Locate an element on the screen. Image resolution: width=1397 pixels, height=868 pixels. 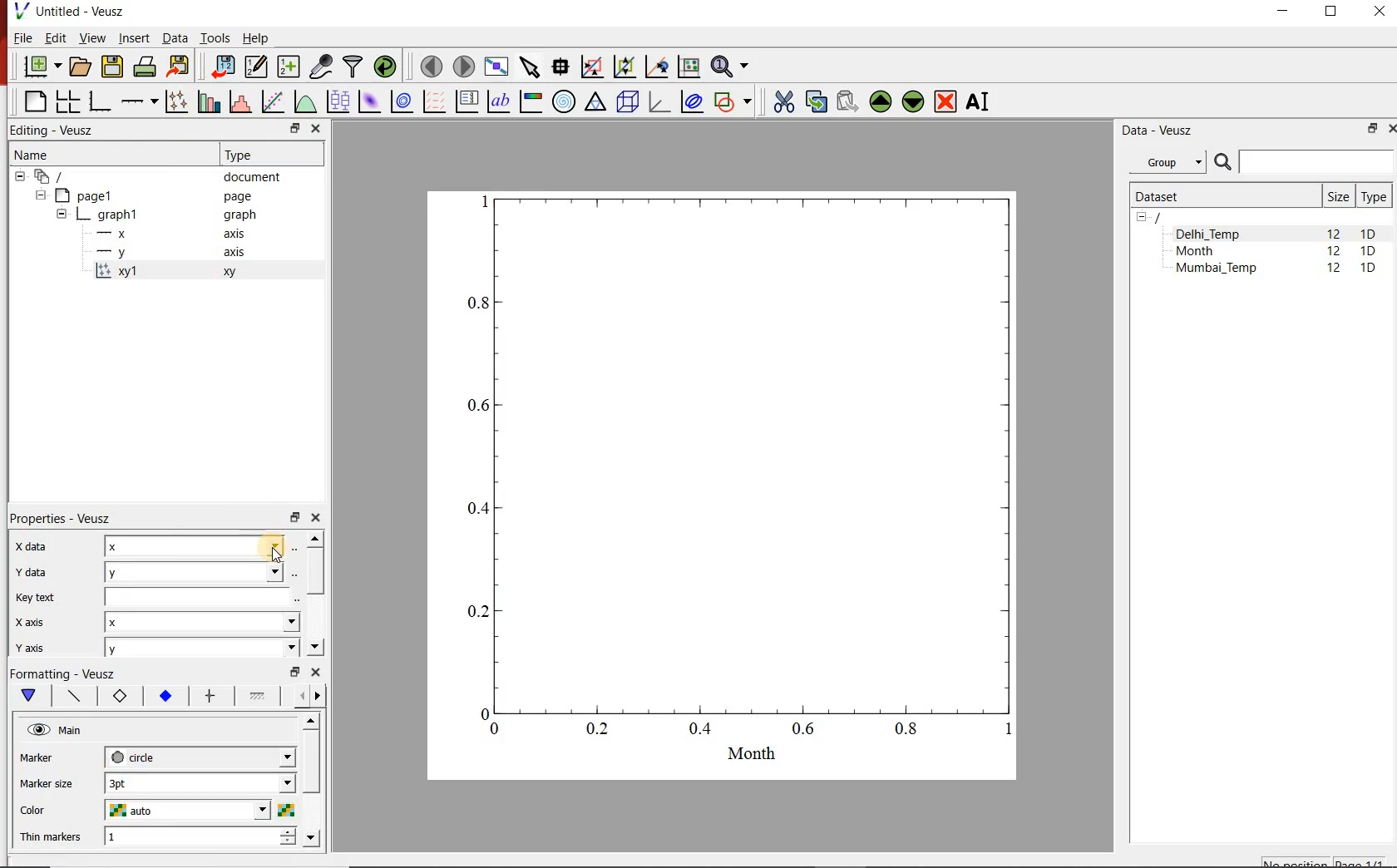
image color bar is located at coordinates (531, 101).